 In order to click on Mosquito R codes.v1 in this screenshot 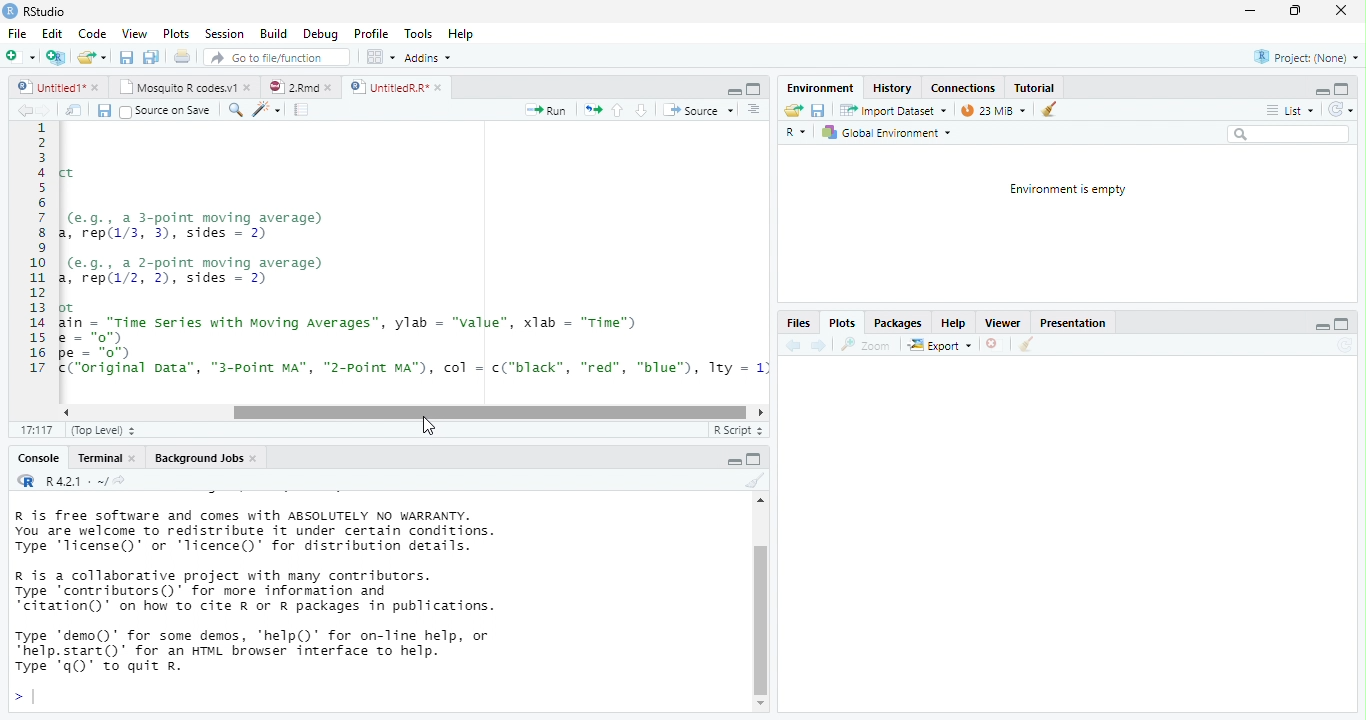, I will do `click(180, 86)`.